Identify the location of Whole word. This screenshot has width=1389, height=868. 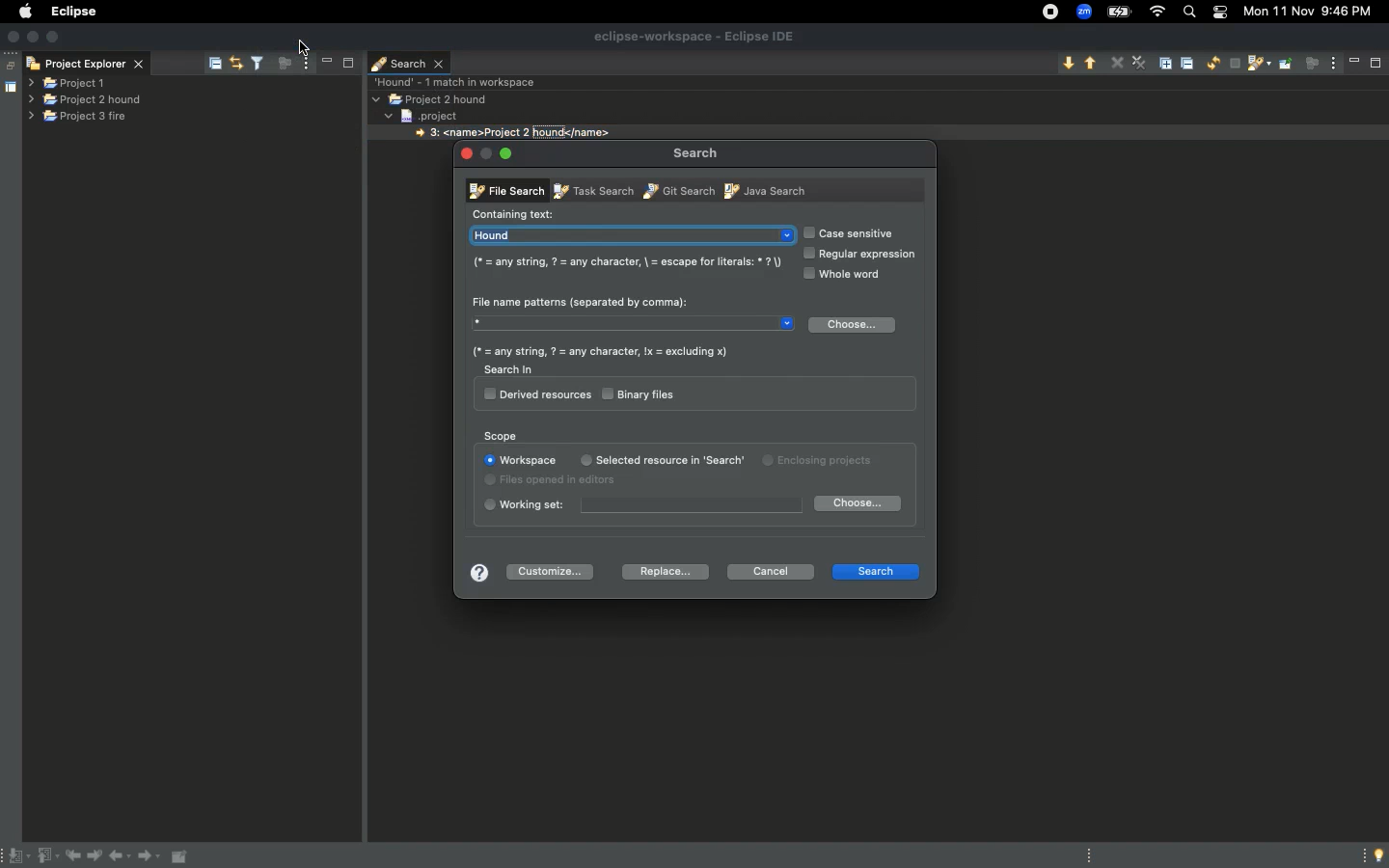
(848, 275).